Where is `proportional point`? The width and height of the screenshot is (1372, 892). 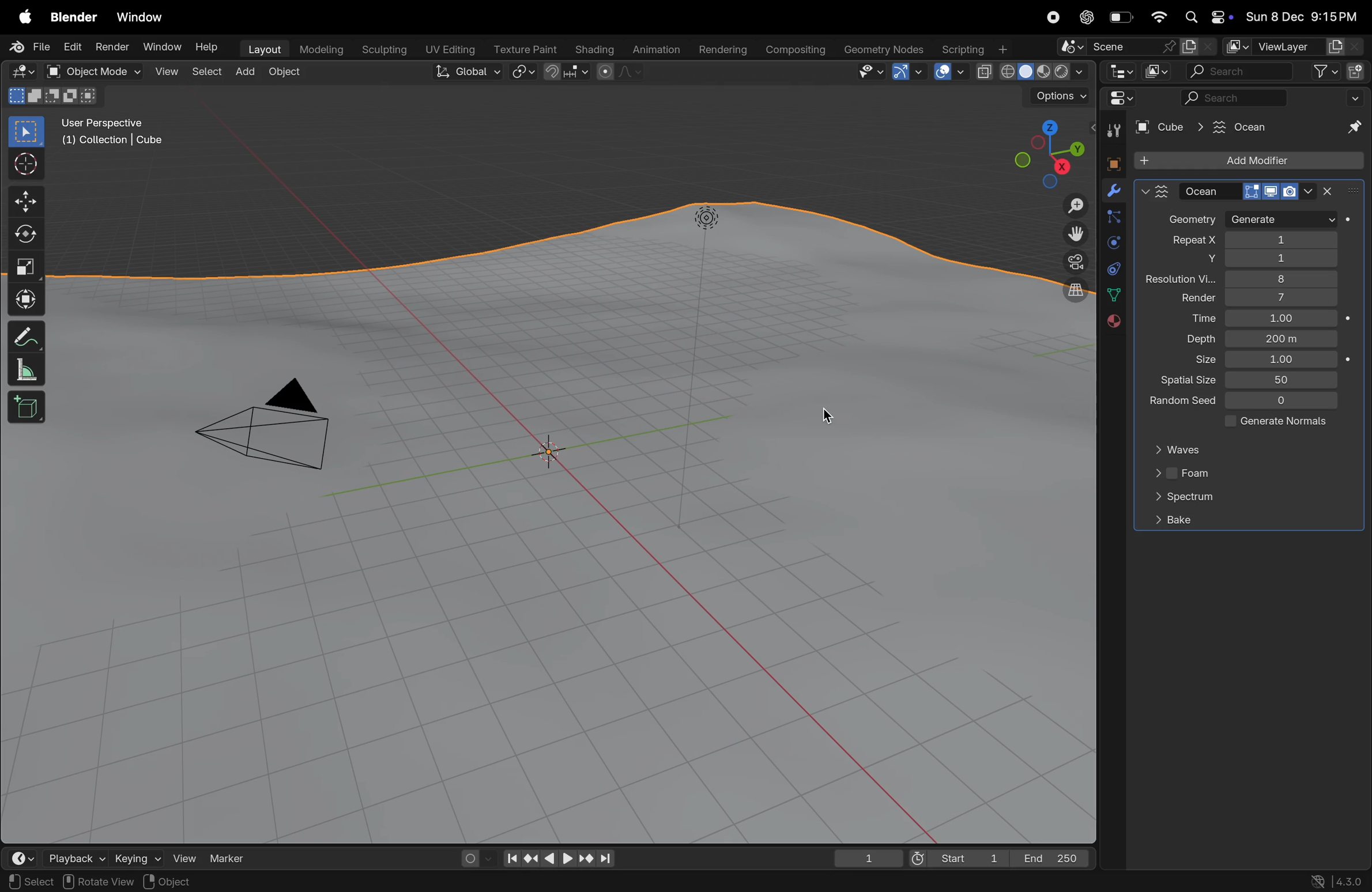
proportional point is located at coordinates (618, 71).